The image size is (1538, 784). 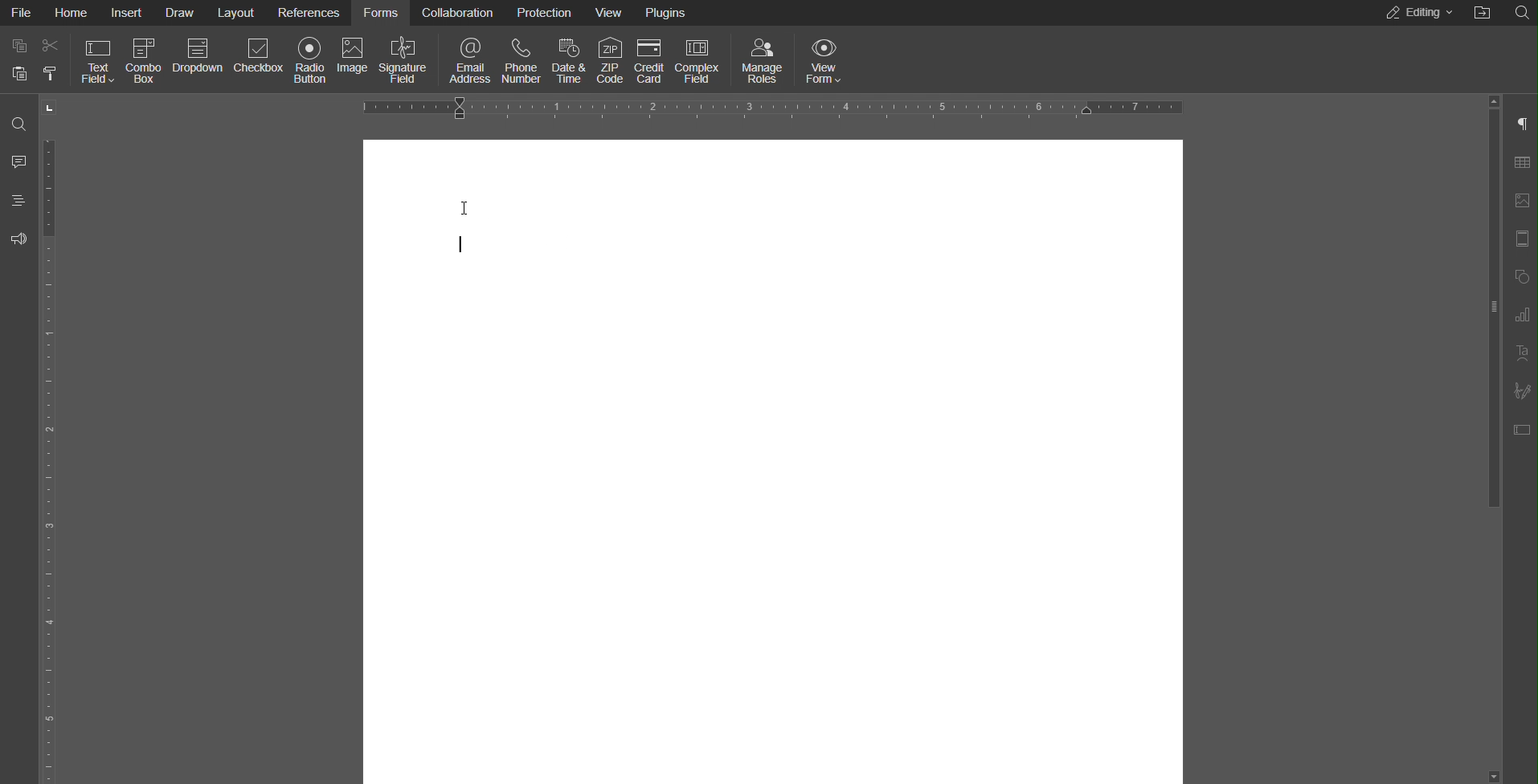 I want to click on Complex Field, so click(x=700, y=58).